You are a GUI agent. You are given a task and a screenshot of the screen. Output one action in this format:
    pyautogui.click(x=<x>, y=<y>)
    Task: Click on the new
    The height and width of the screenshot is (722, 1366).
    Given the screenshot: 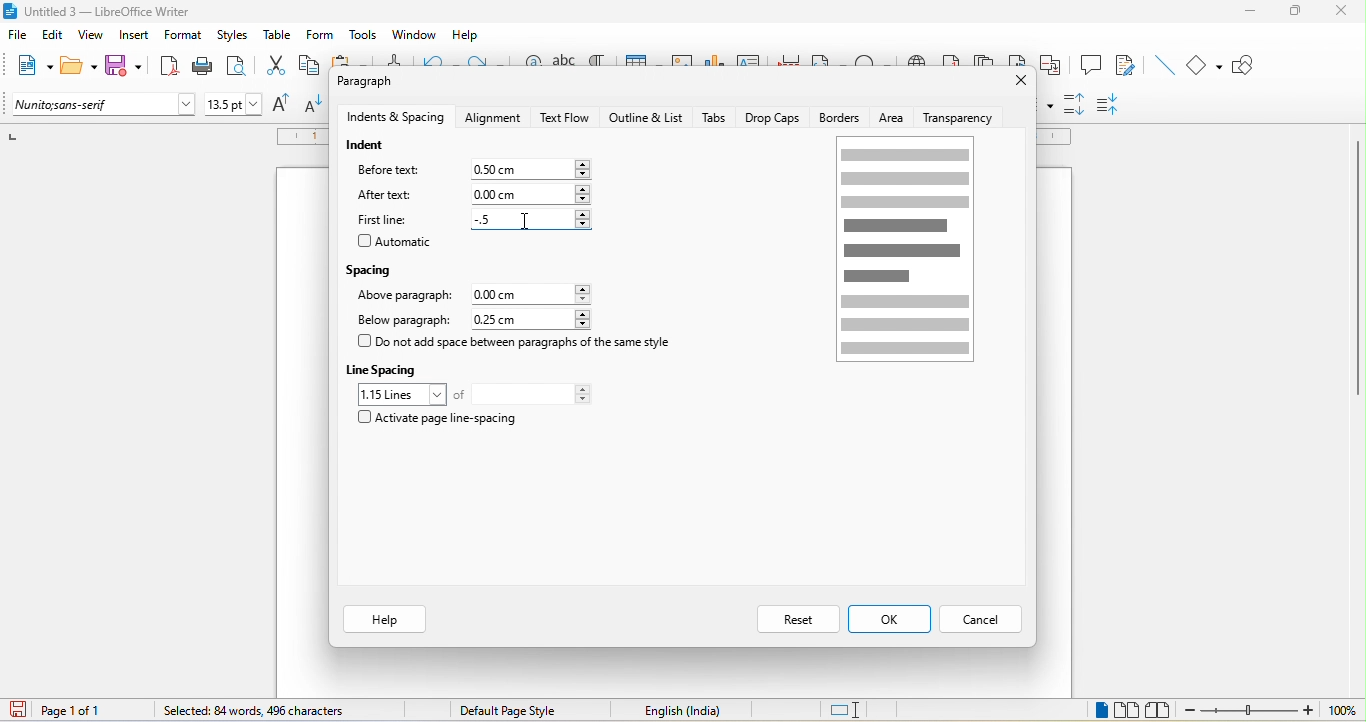 What is the action you would take?
    pyautogui.click(x=31, y=68)
    